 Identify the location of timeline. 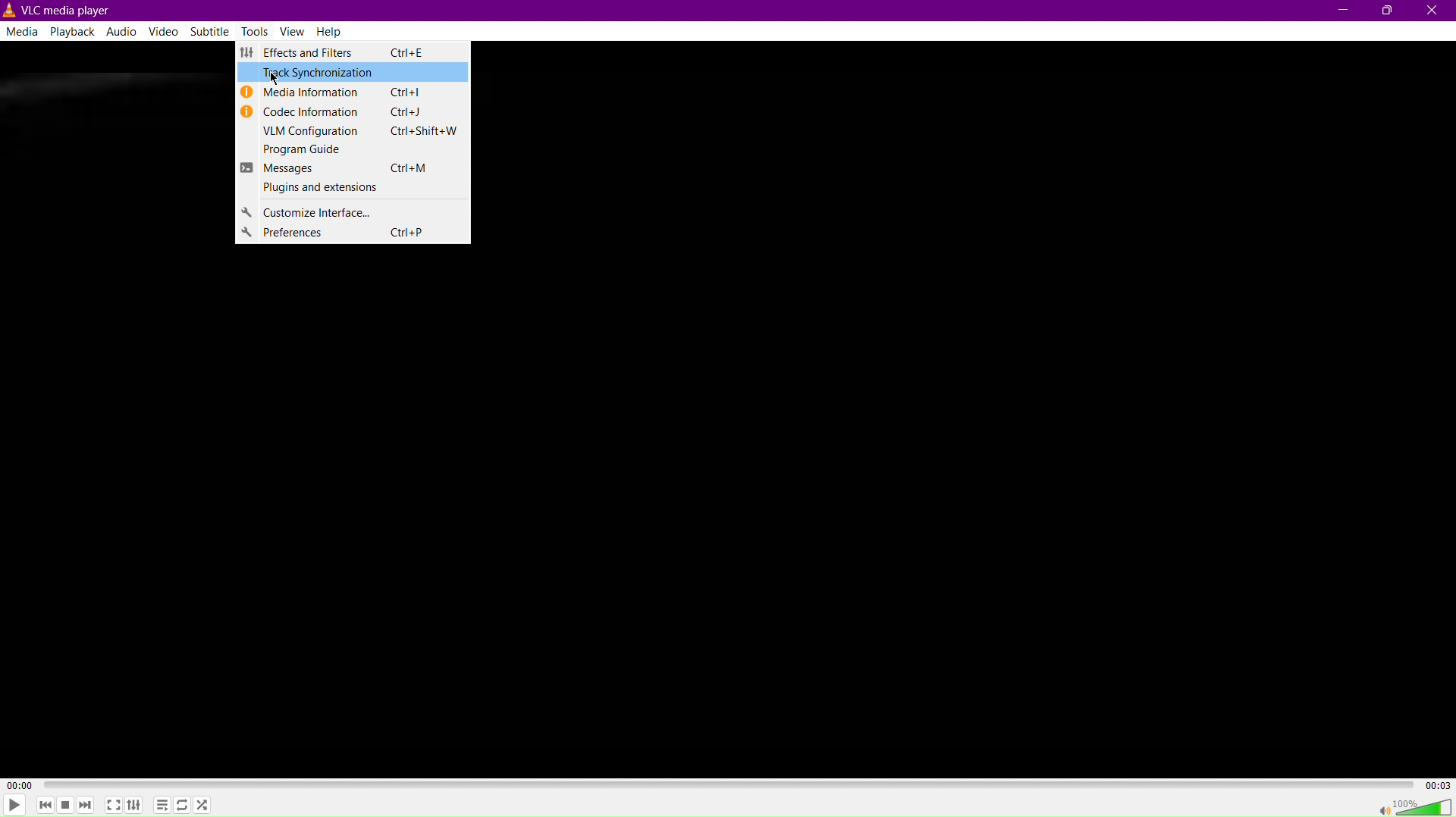
(729, 784).